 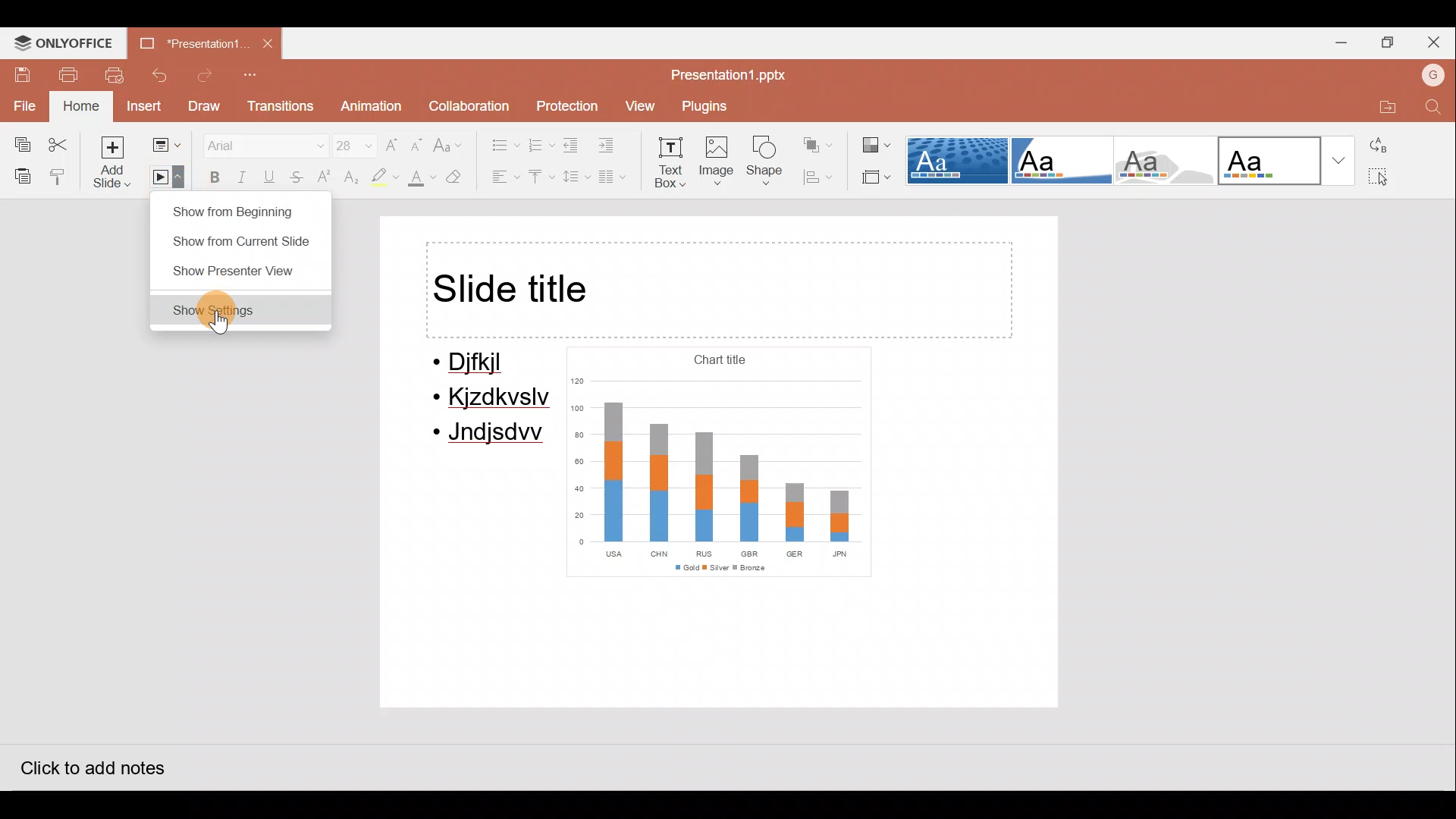 What do you see at coordinates (1432, 77) in the screenshot?
I see `Account name` at bounding box center [1432, 77].